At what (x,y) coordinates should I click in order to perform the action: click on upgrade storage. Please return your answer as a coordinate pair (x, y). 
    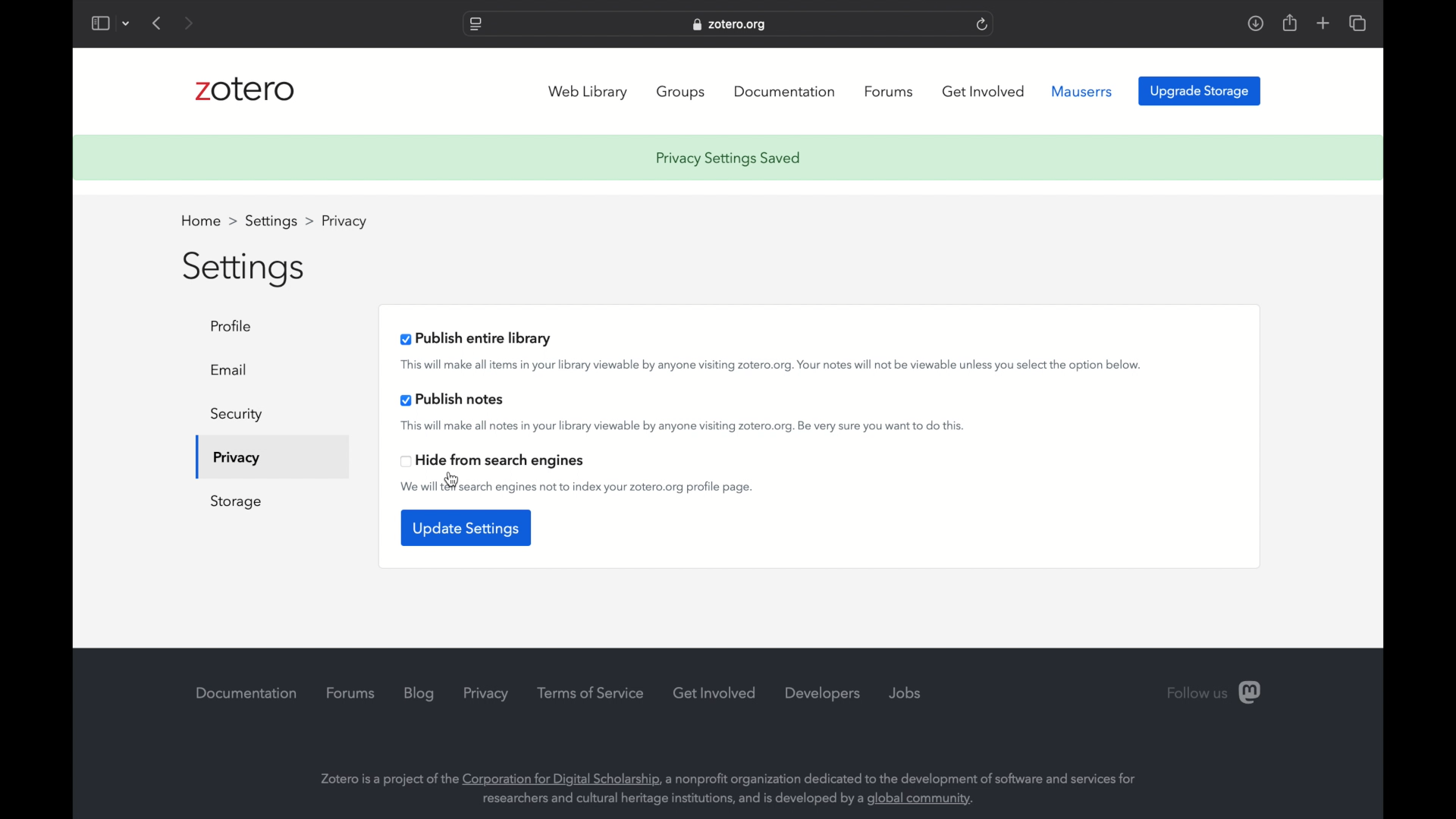
    Looking at the image, I should click on (1200, 92).